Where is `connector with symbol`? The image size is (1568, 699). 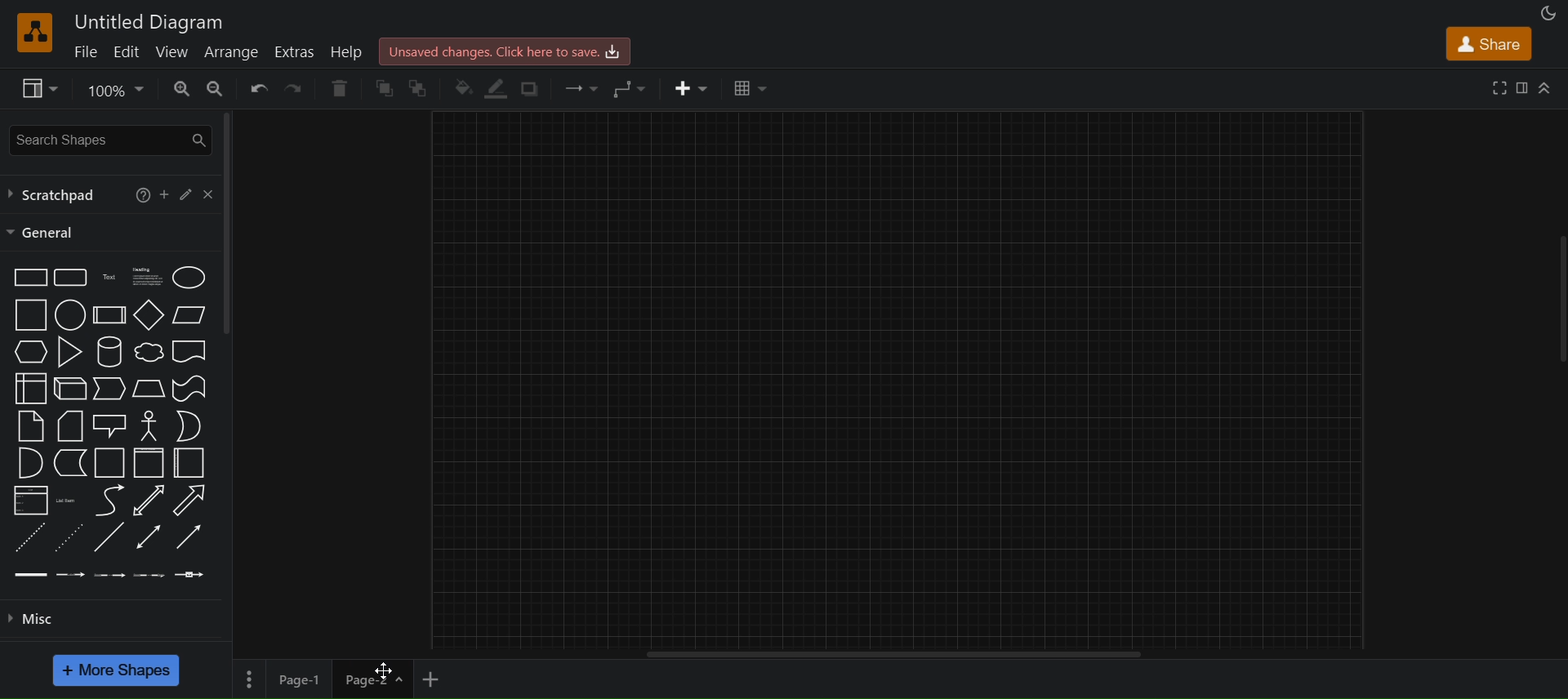 connector with symbol is located at coordinates (191, 574).